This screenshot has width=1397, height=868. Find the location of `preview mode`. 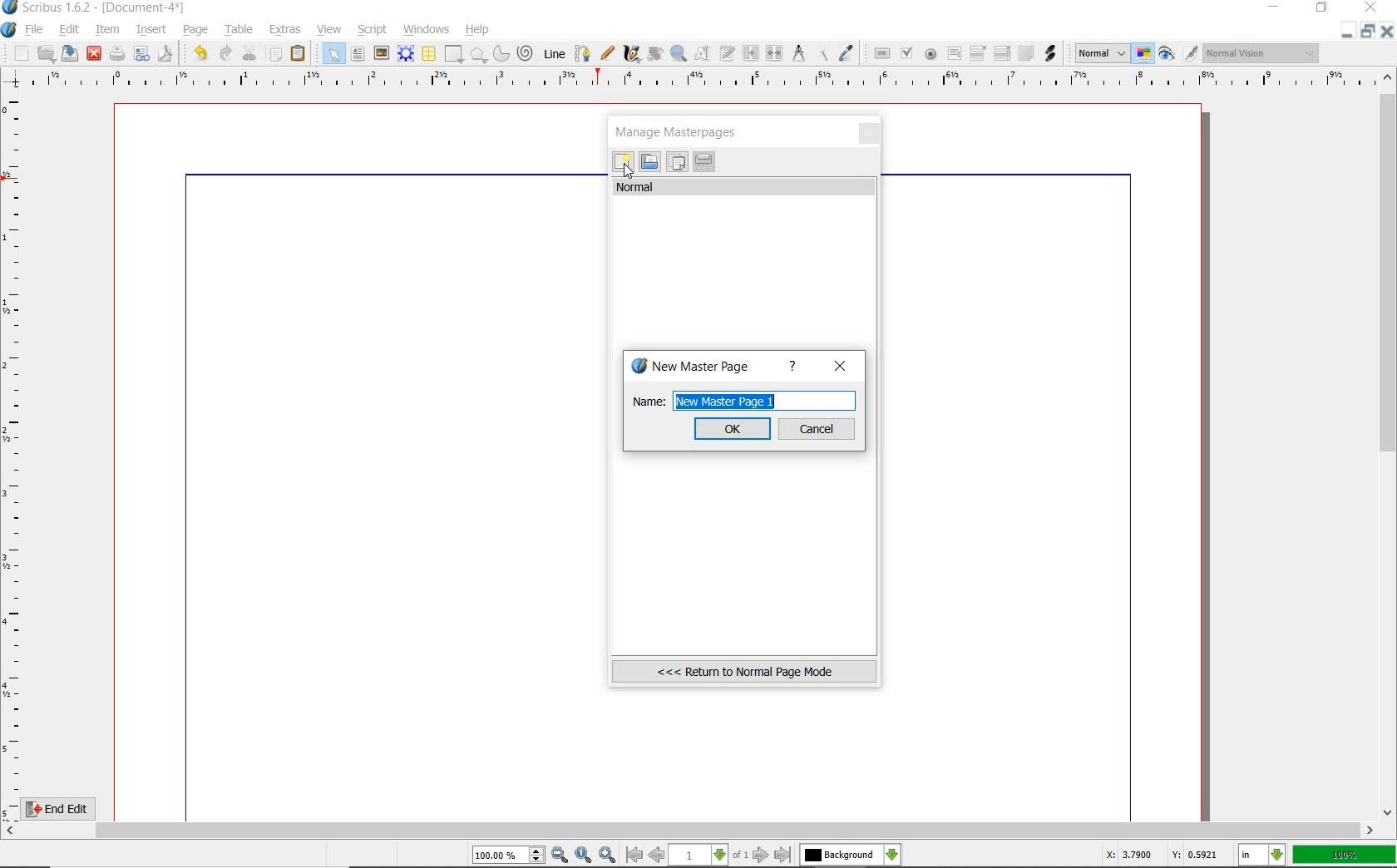

preview mode is located at coordinates (1179, 53).